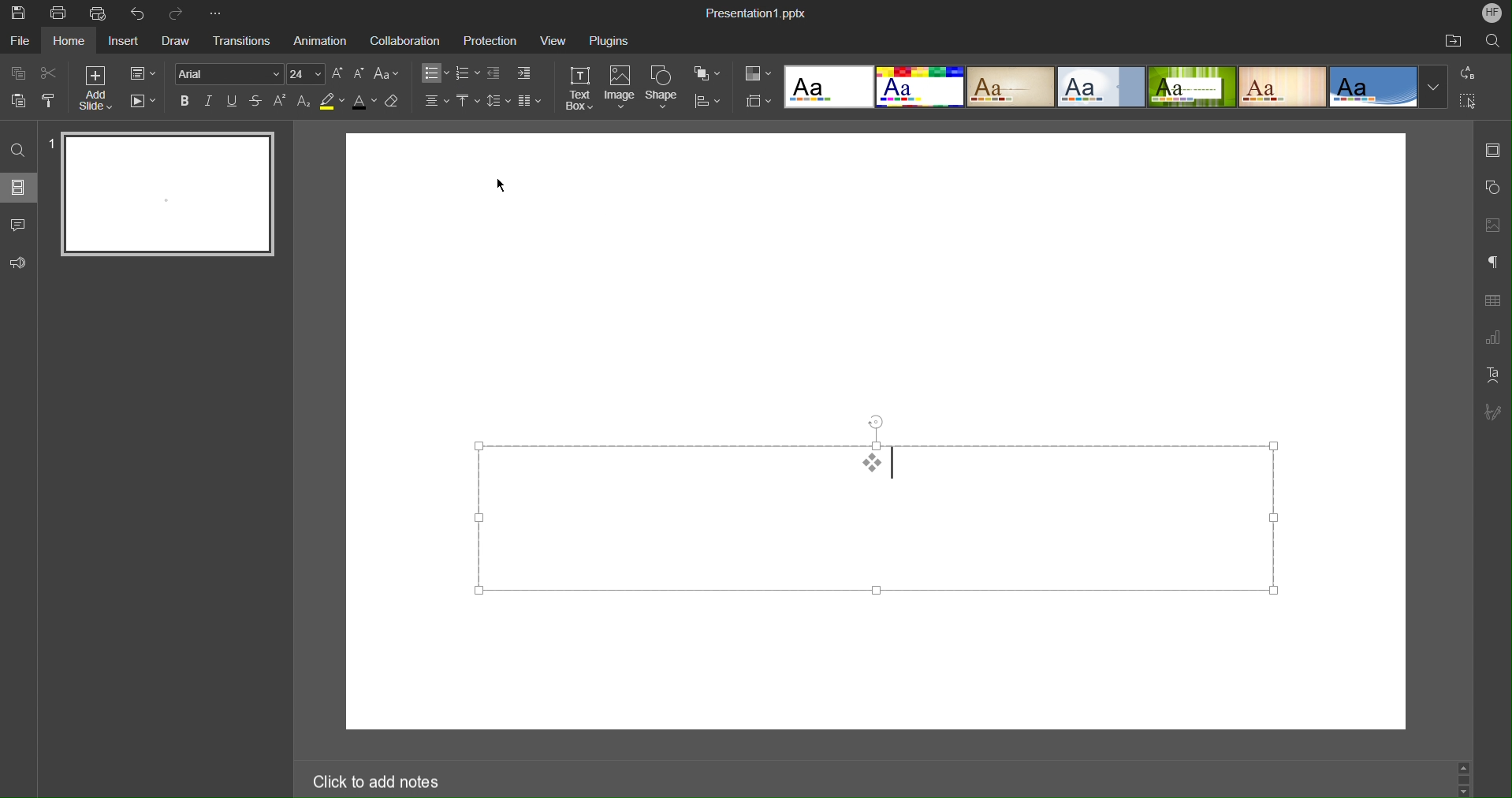  I want to click on Click to add notes, so click(380, 782).